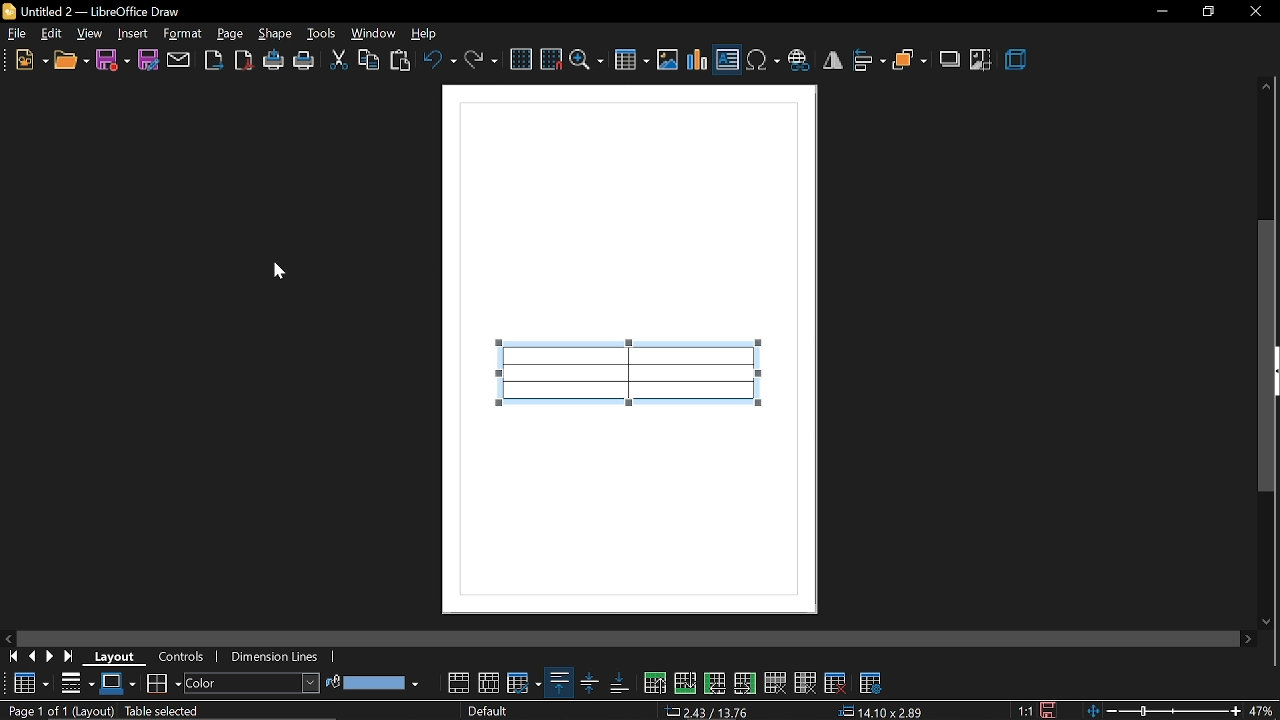 The width and height of the screenshot is (1280, 720). Describe the element at coordinates (132, 33) in the screenshot. I see `insert ` at that location.